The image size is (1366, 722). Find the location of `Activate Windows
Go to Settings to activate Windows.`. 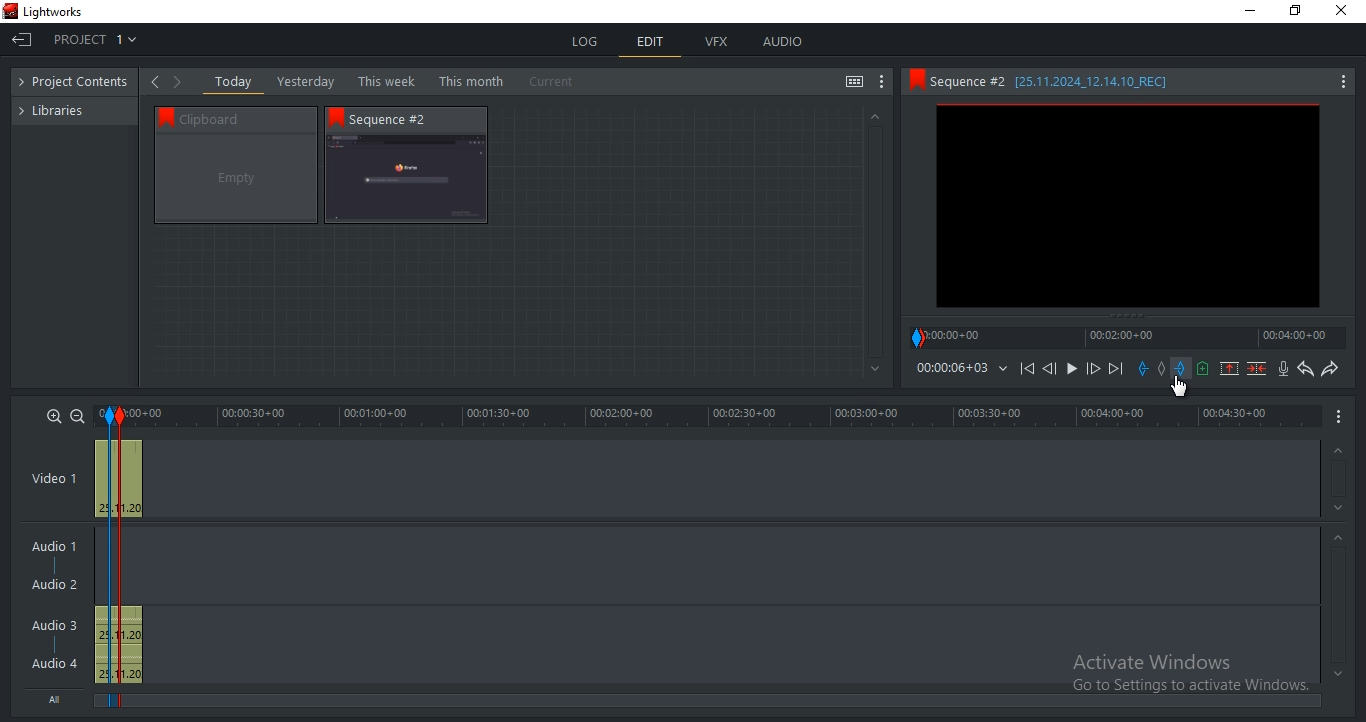

Activate Windows
Go to Settings to activate Windows. is located at coordinates (1190, 675).